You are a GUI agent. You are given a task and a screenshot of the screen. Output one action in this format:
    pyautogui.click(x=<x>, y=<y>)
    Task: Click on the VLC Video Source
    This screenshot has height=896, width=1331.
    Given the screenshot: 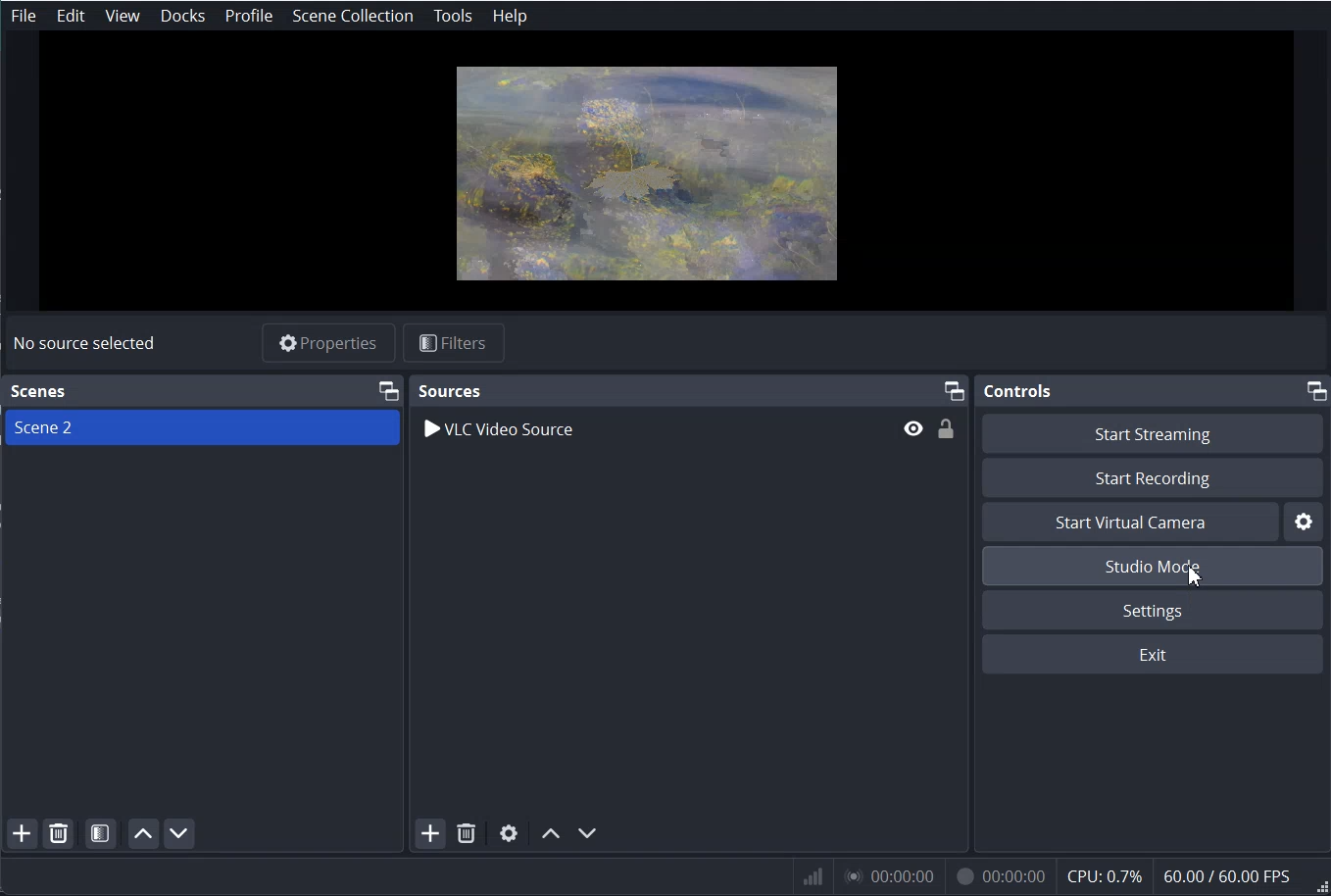 What is the action you would take?
    pyautogui.click(x=652, y=427)
    